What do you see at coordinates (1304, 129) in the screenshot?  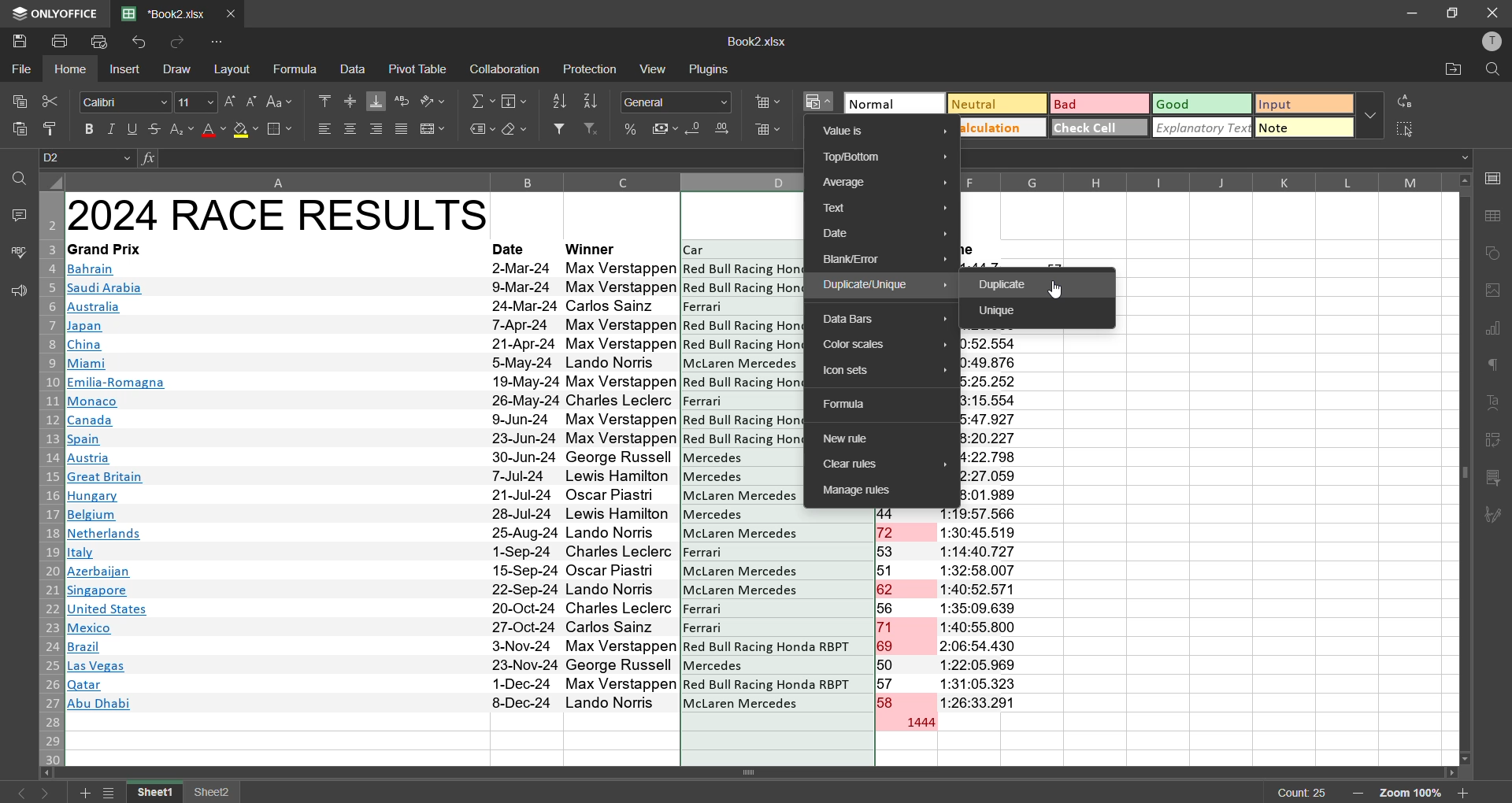 I see `note` at bounding box center [1304, 129].